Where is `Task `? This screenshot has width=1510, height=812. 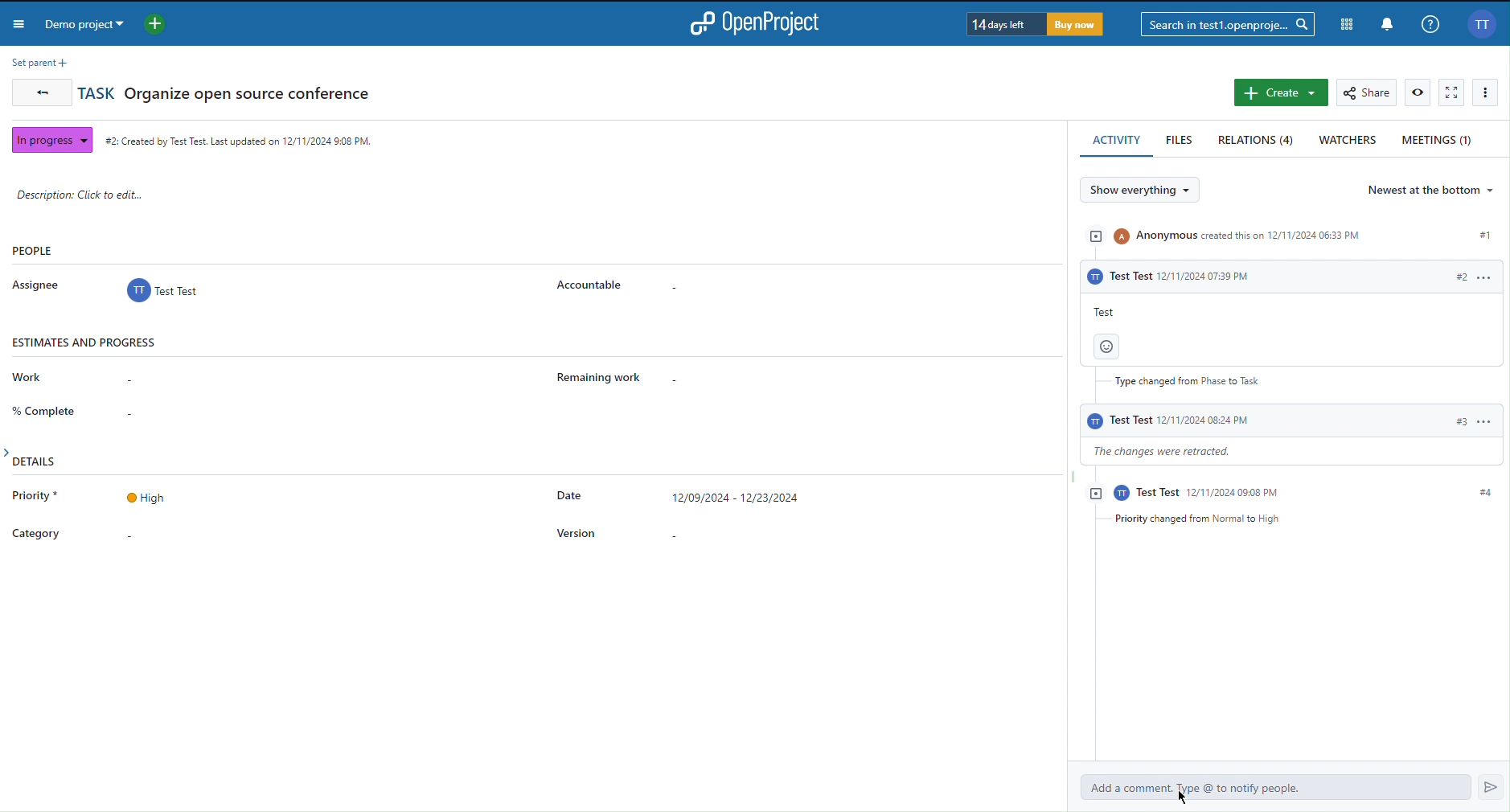
Task  is located at coordinates (227, 92).